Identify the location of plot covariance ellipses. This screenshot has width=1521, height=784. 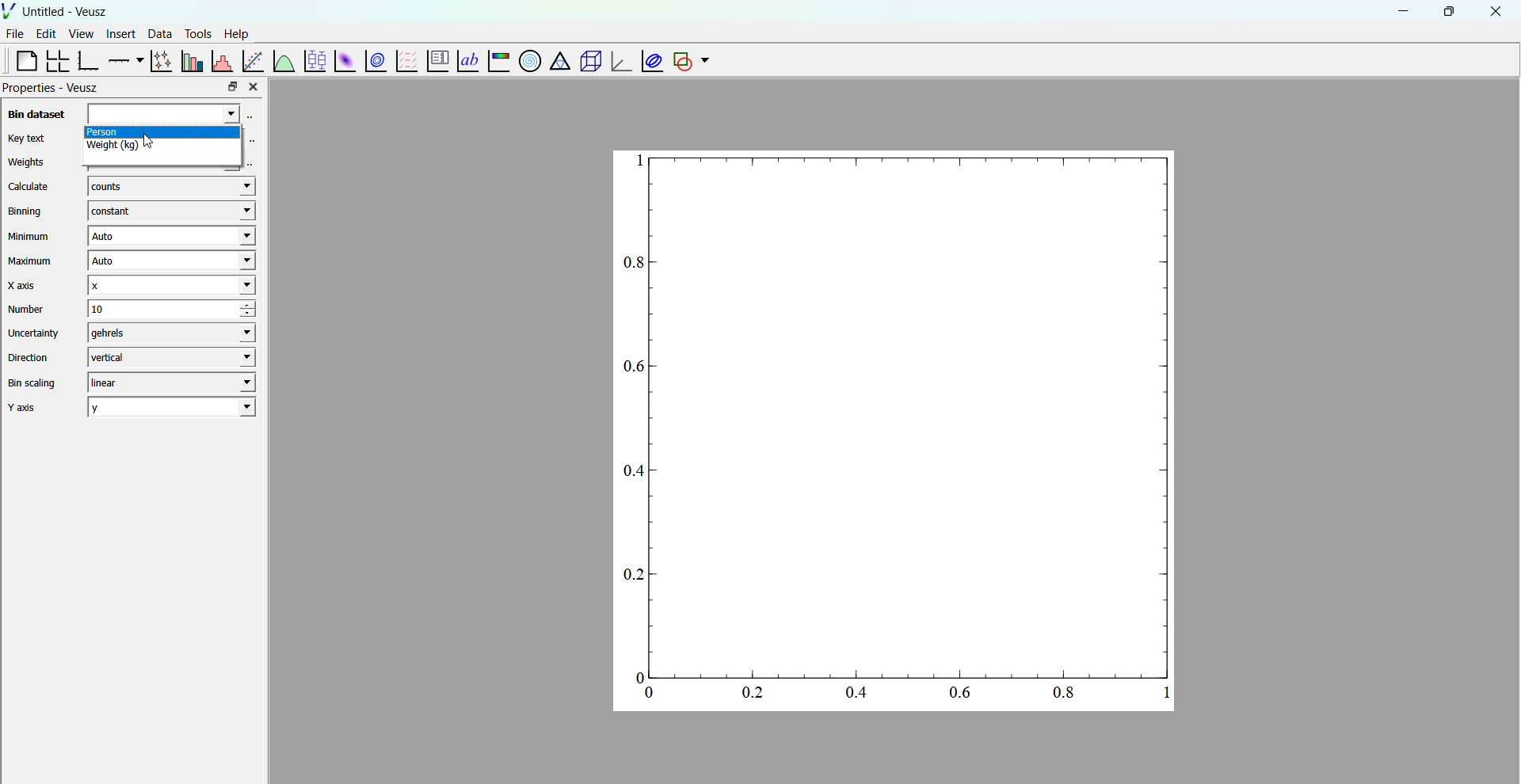
(650, 60).